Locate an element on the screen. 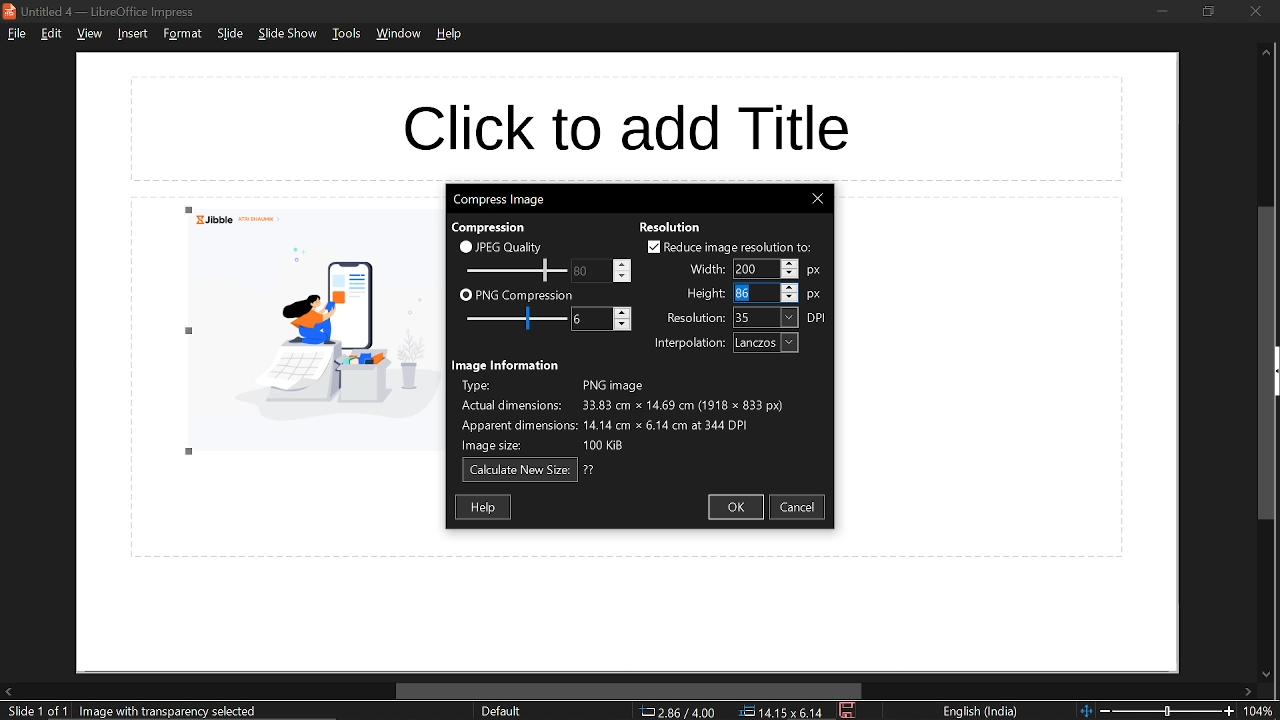 This screenshot has width=1280, height=720. decrease jpeg quality is located at coordinates (621, 276).